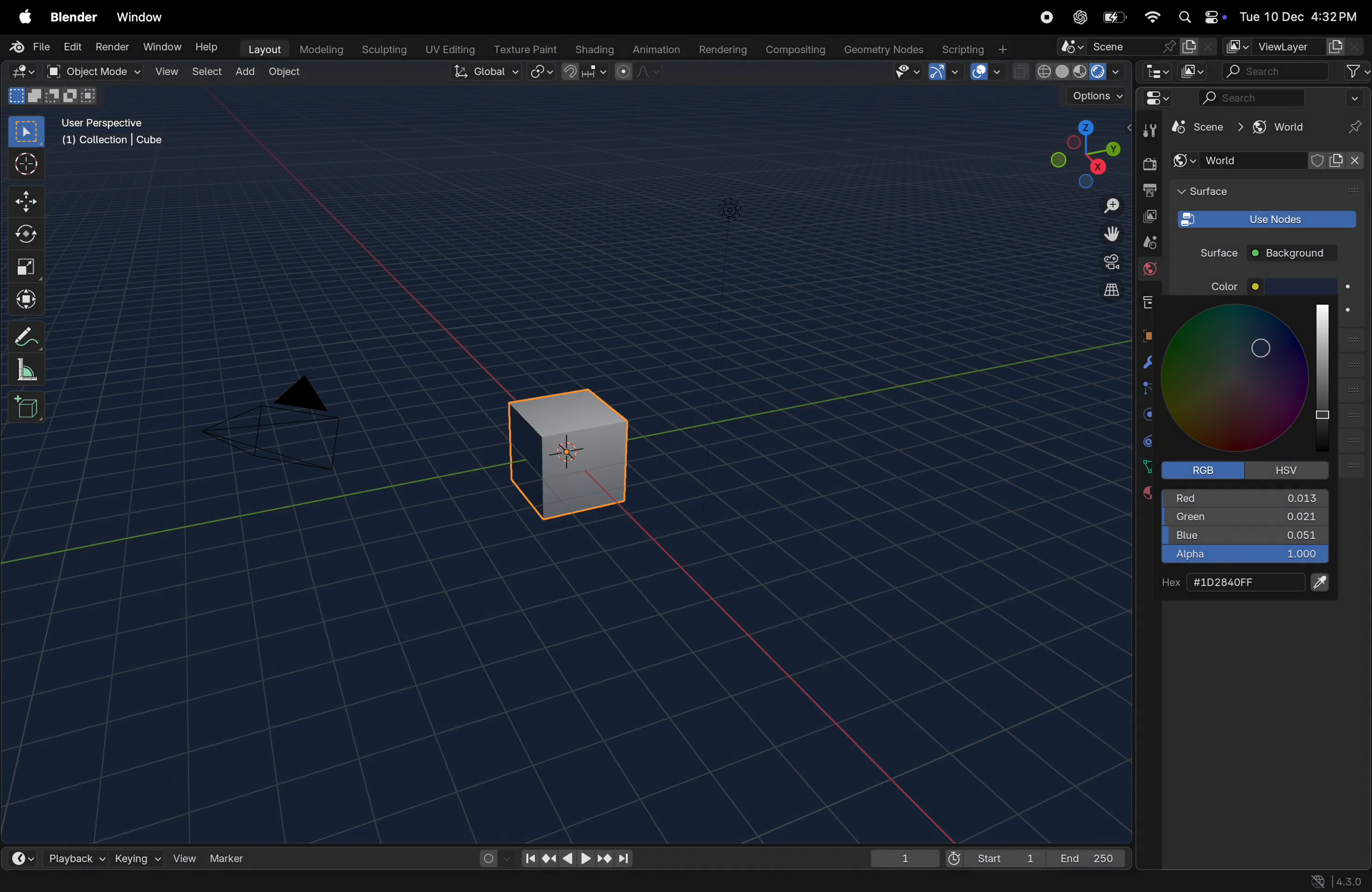 This screenshot has height=892, width=1372. I want to click on add cube, so click(28, 406).